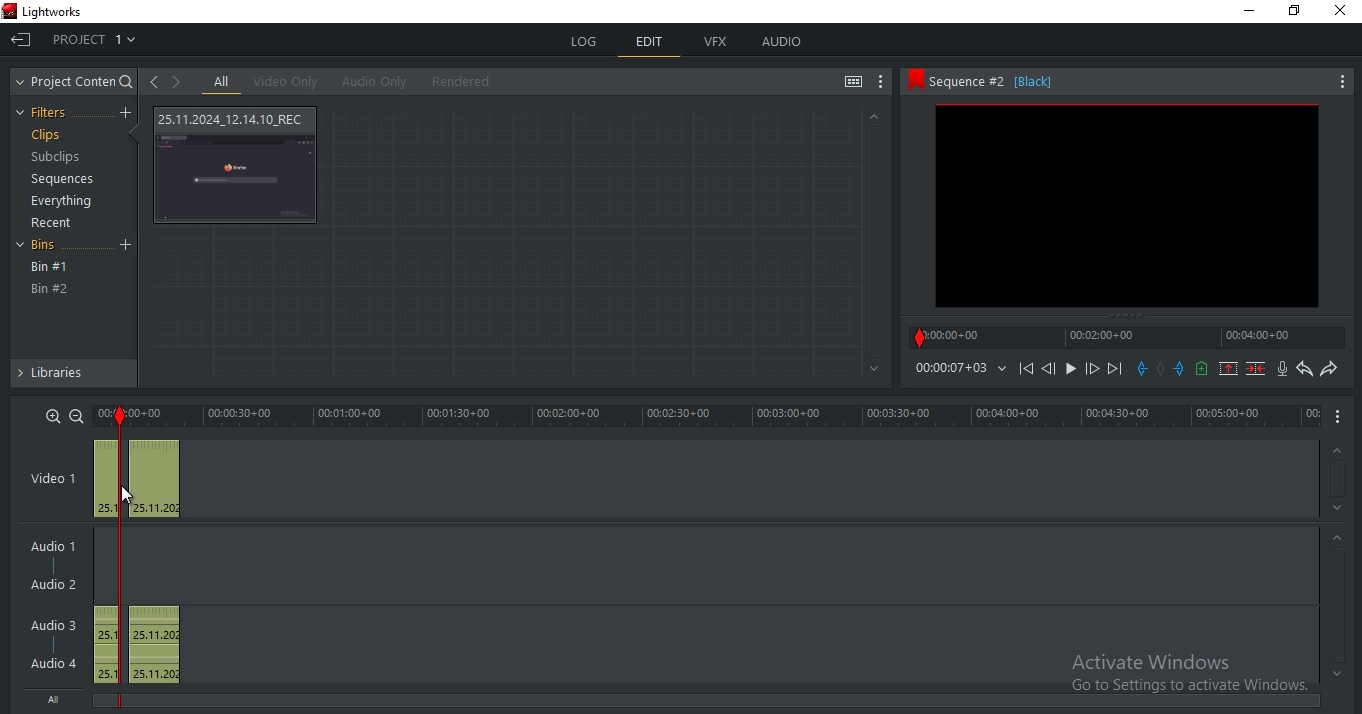 The height and width of the screenshot is (714, 1362). What do you see at coordinates (50, 289) in the screenshot?
I see `bin #2` at bounding box center [50, 289].